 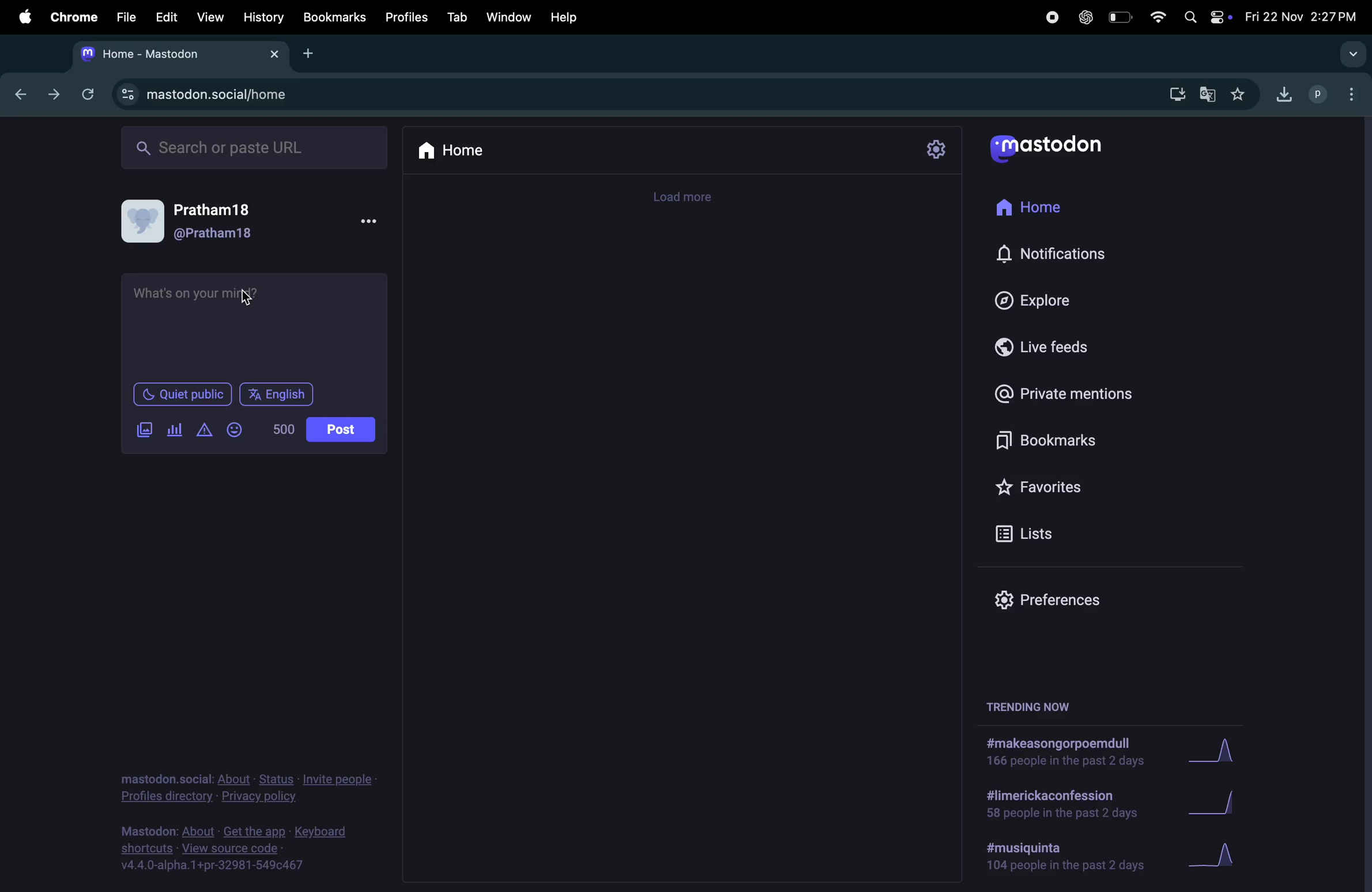 I want to click on tab, so click(x=457, y=16).